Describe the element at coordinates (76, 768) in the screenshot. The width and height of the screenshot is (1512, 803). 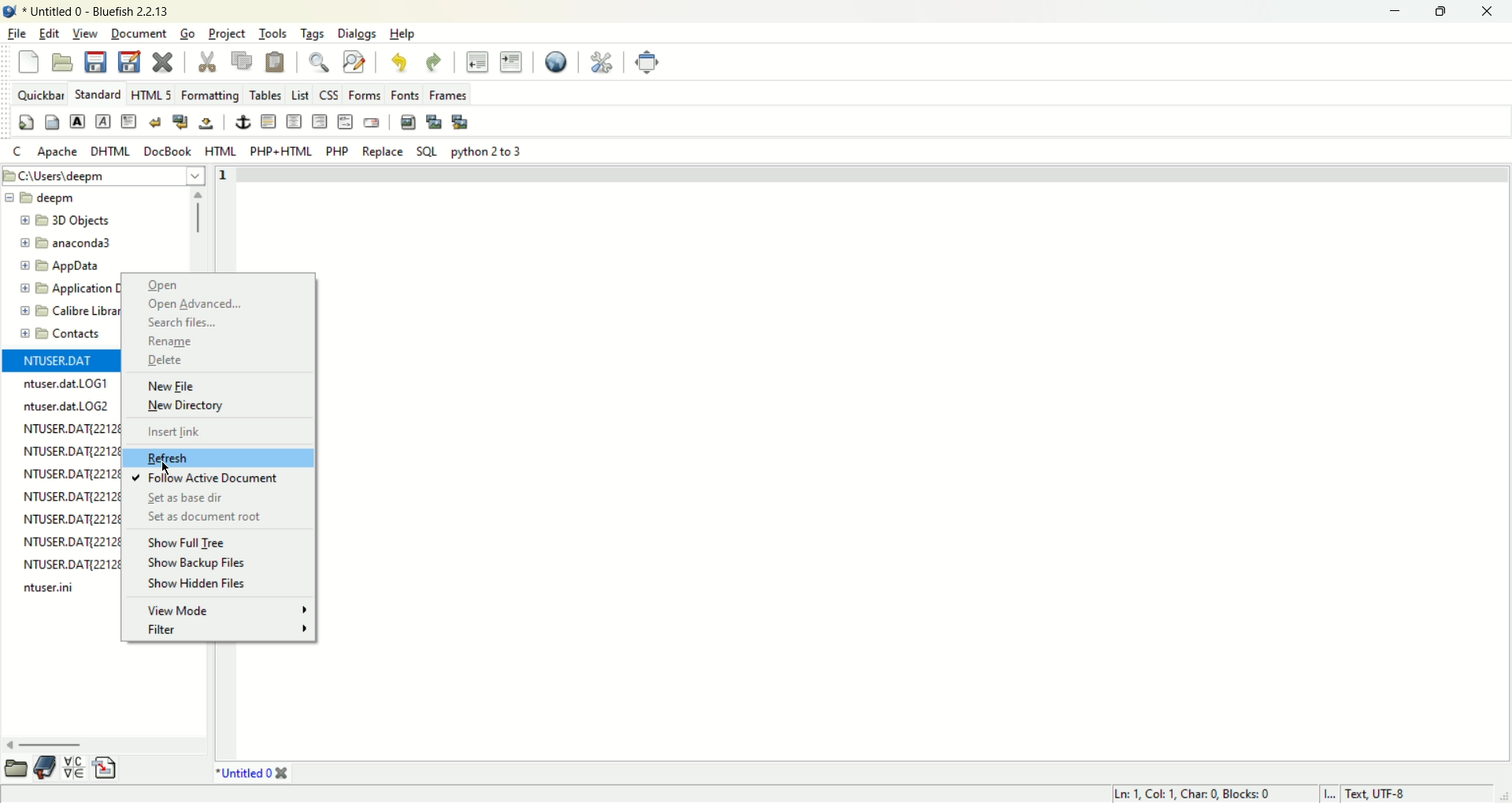
I see `char map` at that location.